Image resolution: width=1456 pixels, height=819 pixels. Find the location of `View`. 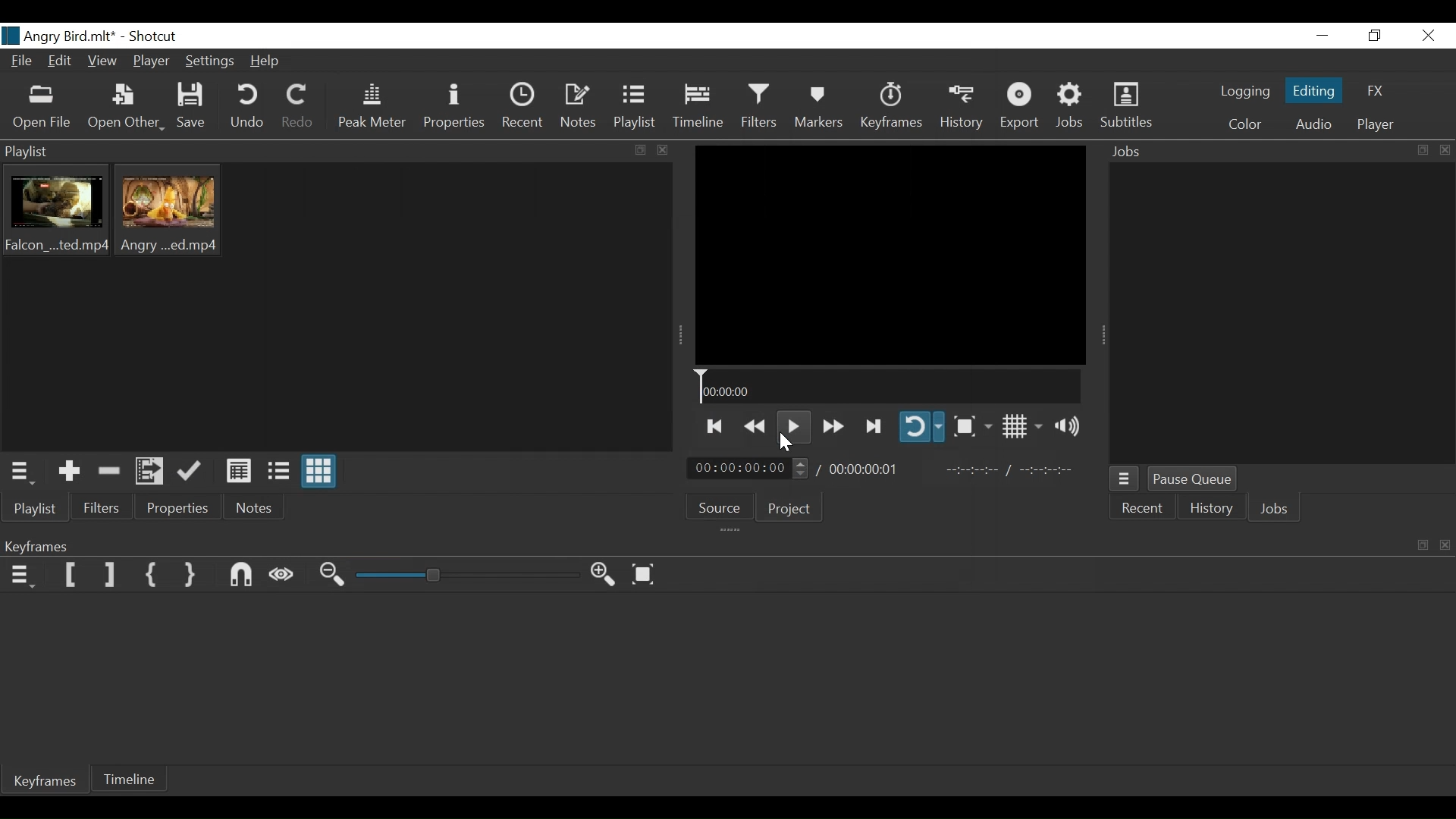

View is located at coordinates (104, 61).